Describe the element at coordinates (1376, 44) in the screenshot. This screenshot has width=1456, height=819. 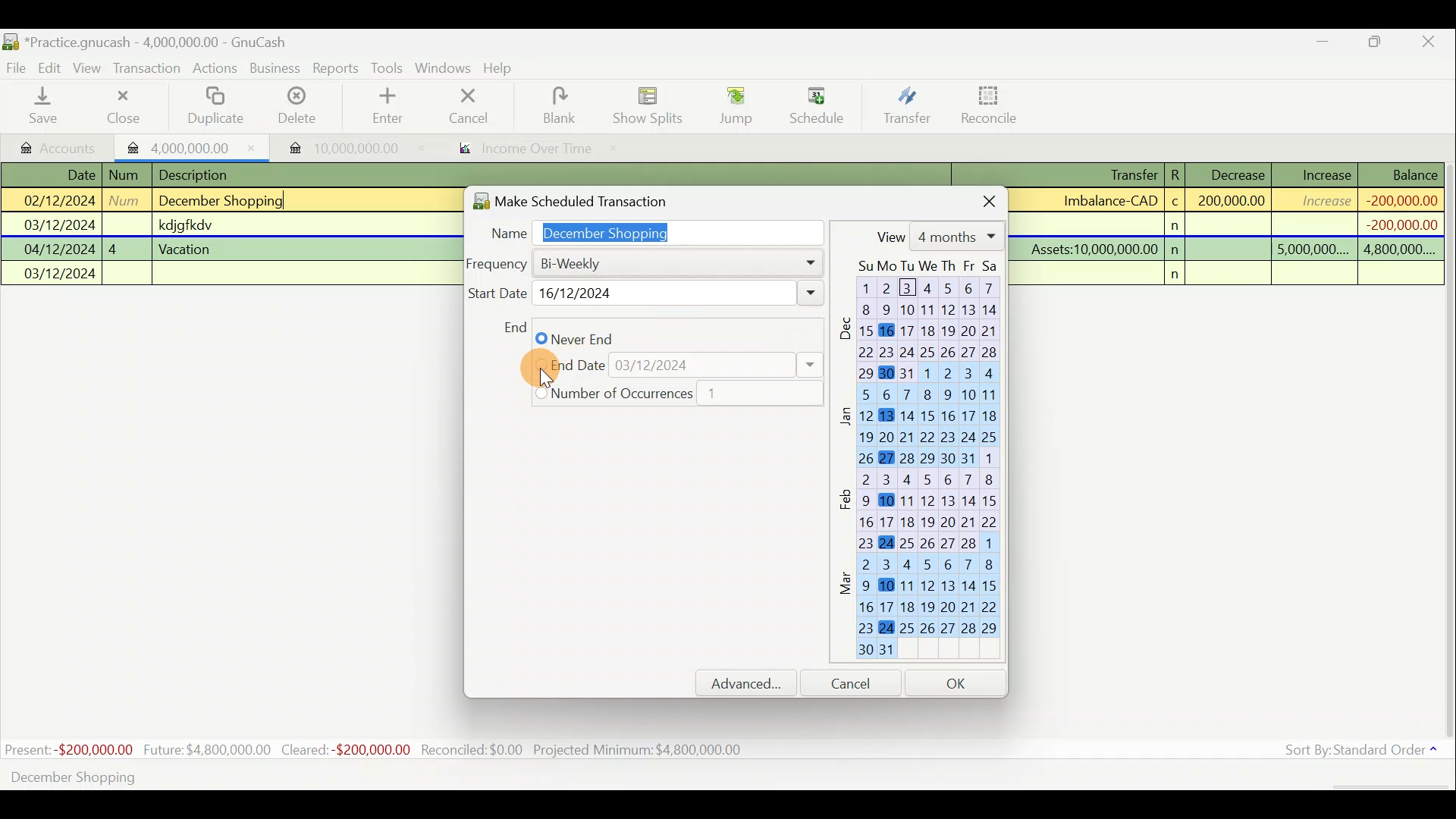
I see `Maximise` at that location.